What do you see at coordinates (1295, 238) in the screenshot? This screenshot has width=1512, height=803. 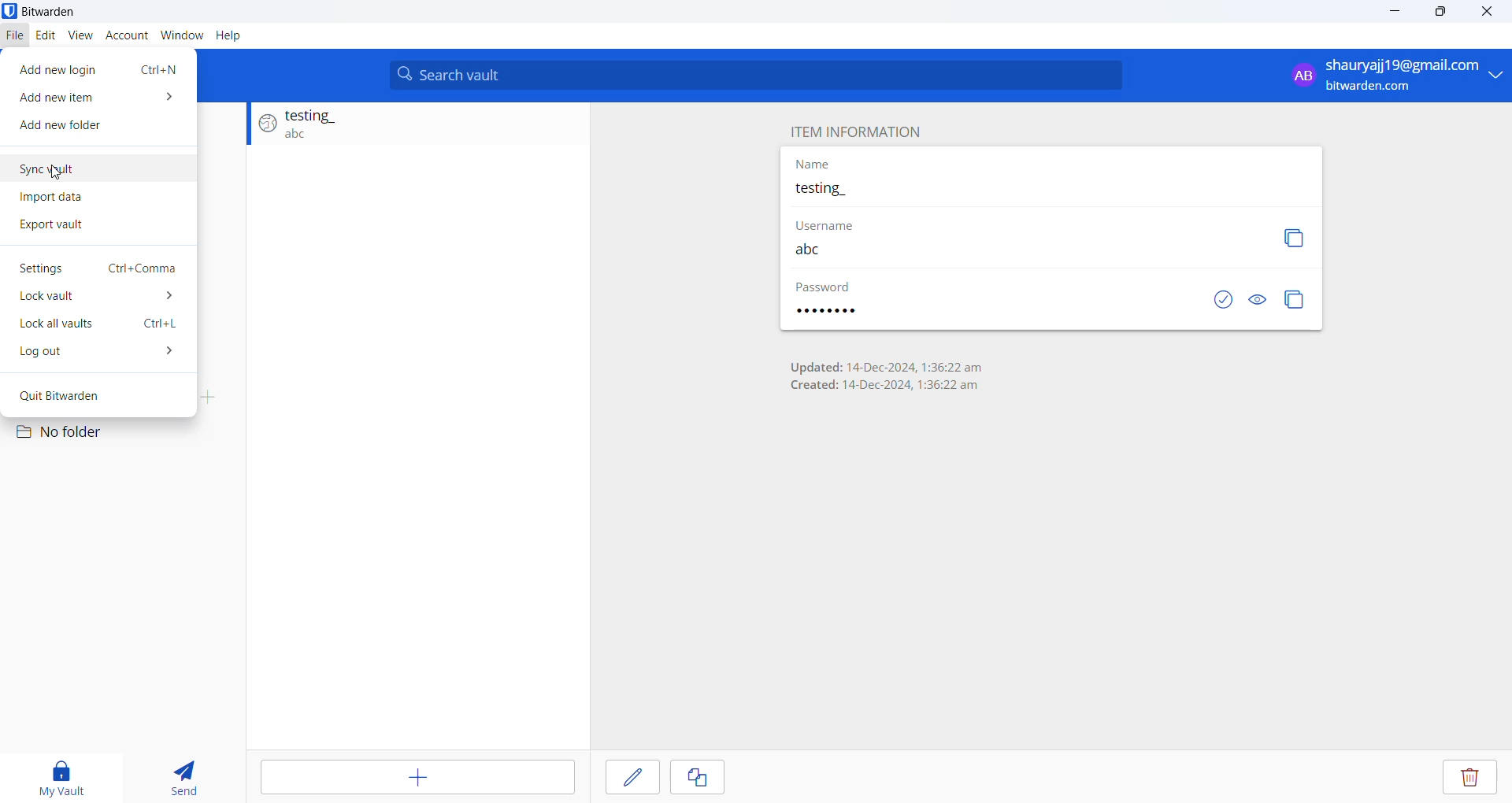 I see `Copy button` at bounding box center [1295, 238].